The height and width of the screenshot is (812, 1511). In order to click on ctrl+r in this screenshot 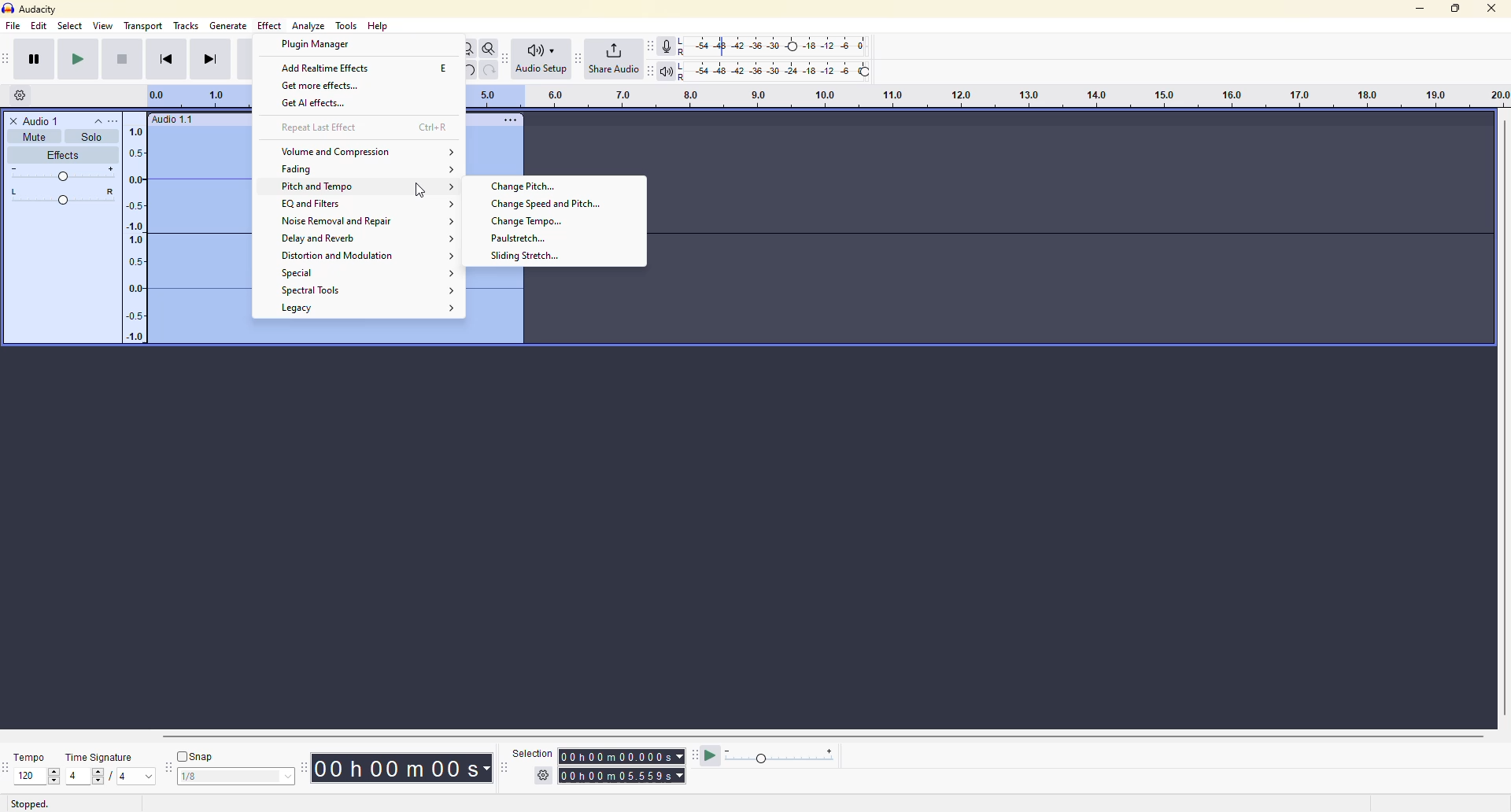, I will do `click(435, 127)`.